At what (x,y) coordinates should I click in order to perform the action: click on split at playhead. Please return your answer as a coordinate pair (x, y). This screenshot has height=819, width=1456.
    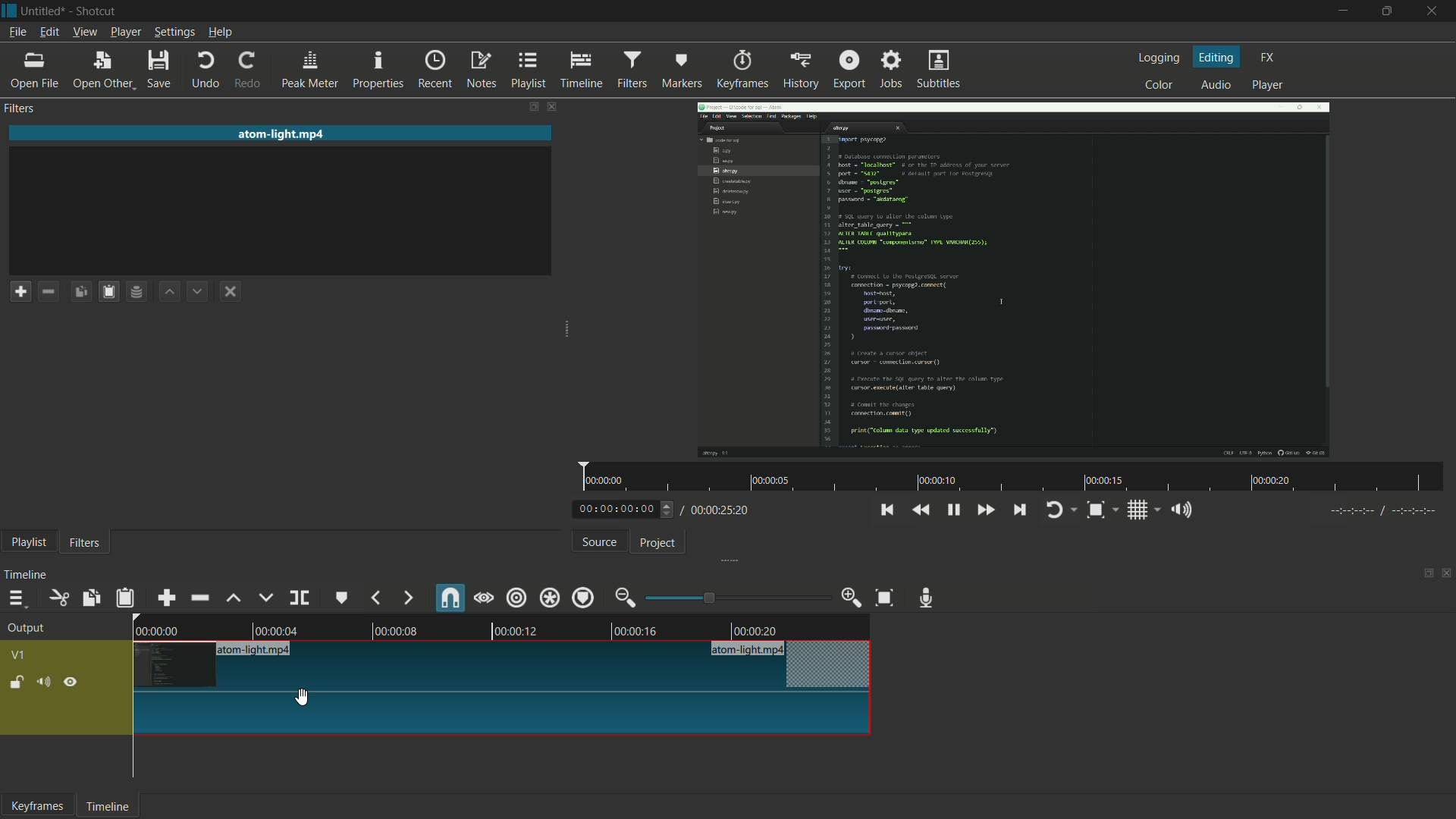
    Looking at the image, I should click on (300, 598).